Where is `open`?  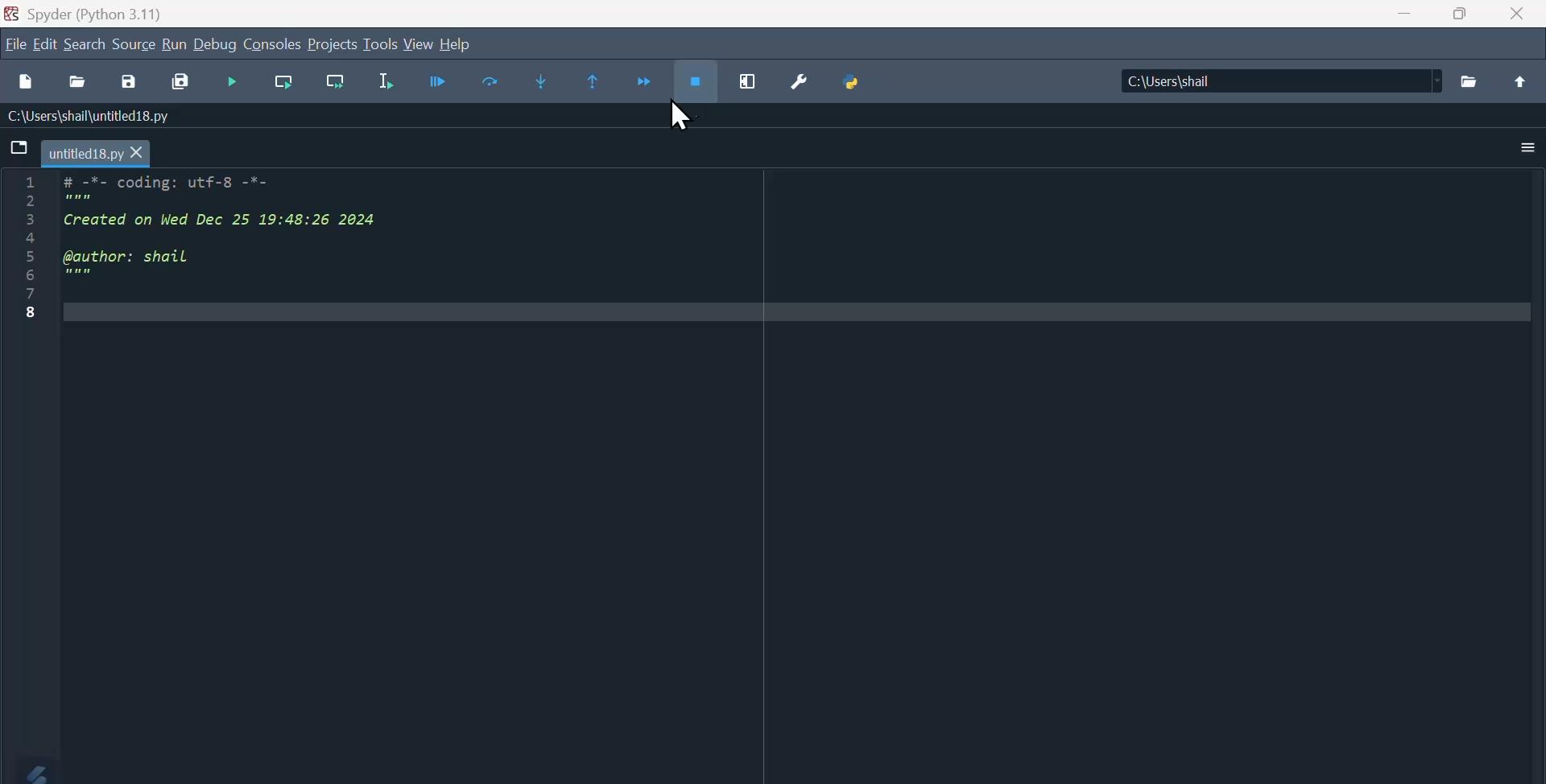 open is located at coordinates (77, 83).